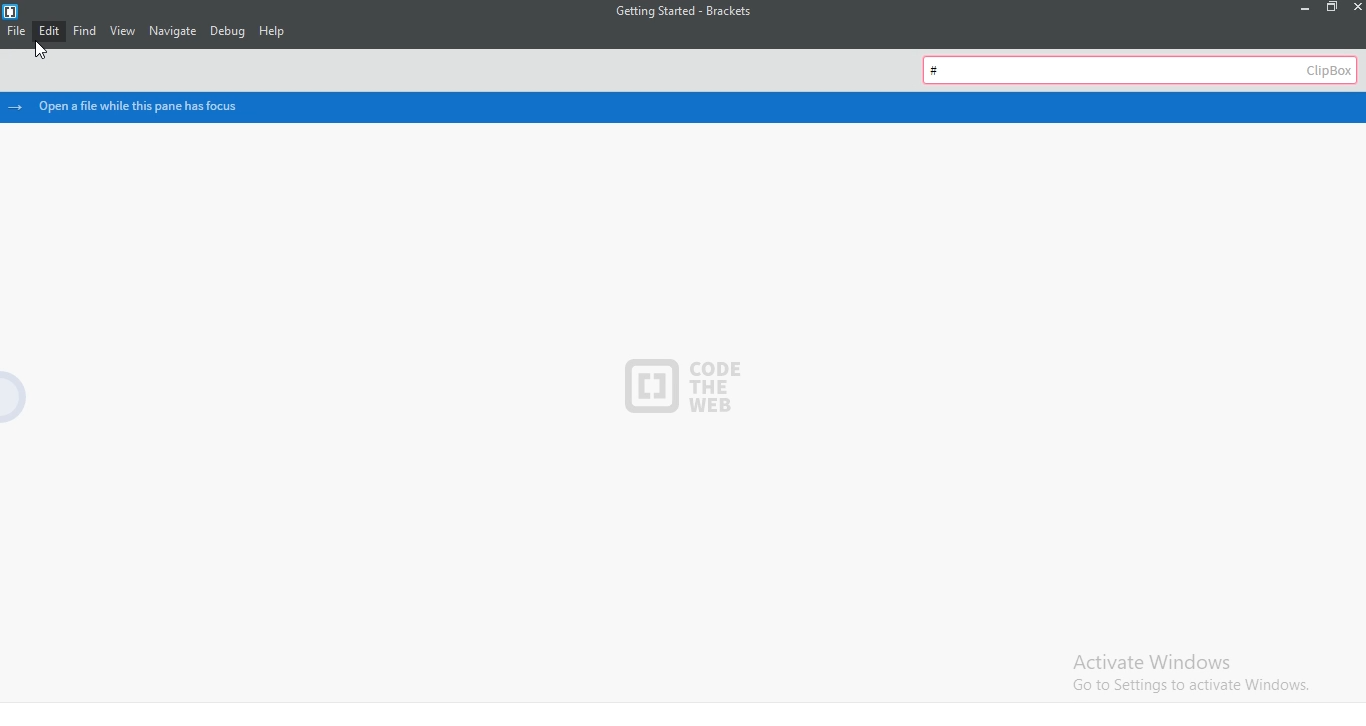 Image resolution: width=1366 pixels, height=726 pixels. What do you see at coordinates (281, 30) in the screenshot?
I see `Help` at bounding box center [281, 30].